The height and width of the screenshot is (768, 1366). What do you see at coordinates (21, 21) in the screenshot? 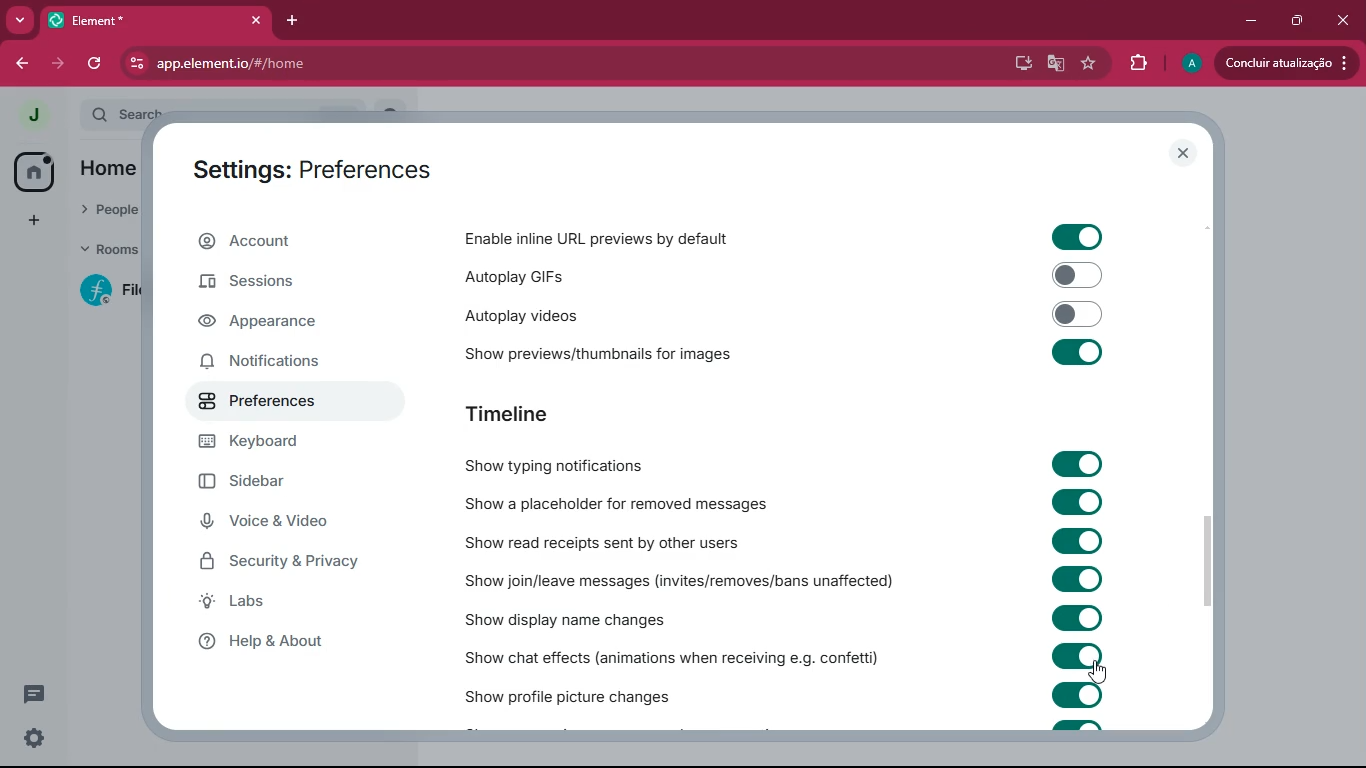
I see `more` at bounding box center [21, 21].